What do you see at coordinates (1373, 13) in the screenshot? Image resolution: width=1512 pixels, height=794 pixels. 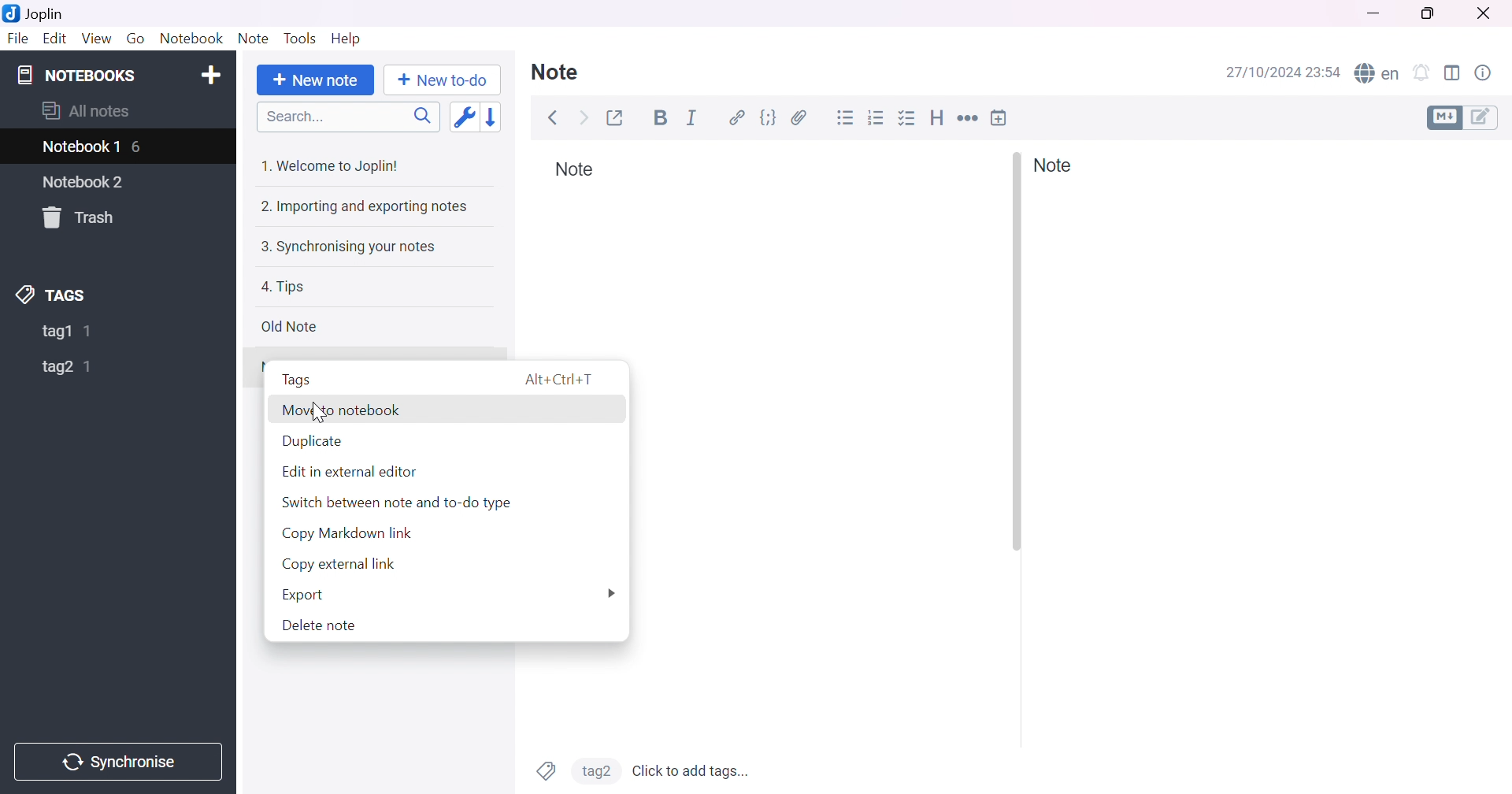 I see `Minimize` at bounding box center [1373, 13].